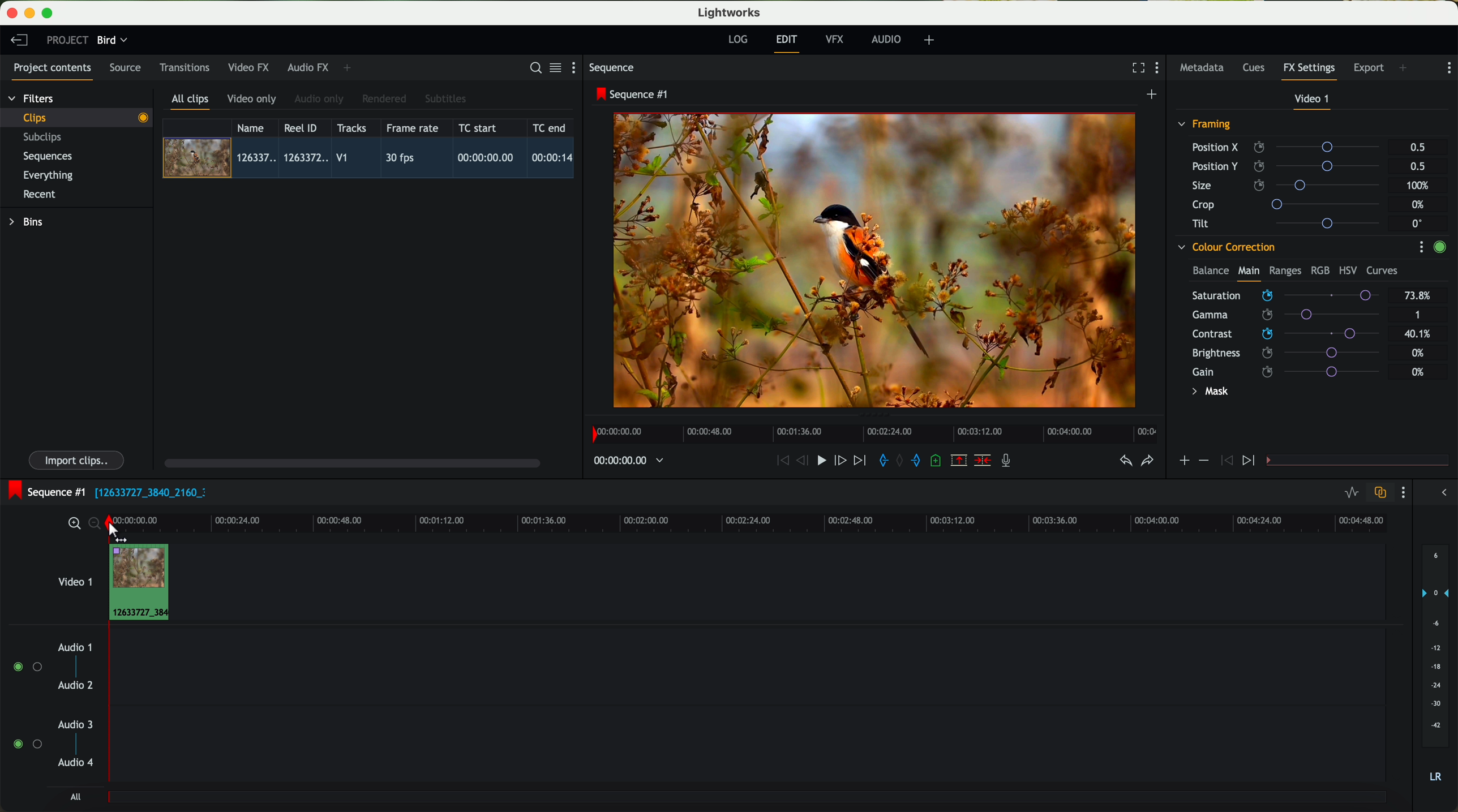 This screenshot has width=1458, height=812. What do you see at coordinates (837, 40) in the screenshot?
I see `VFX` at bounding box center [837, 40].